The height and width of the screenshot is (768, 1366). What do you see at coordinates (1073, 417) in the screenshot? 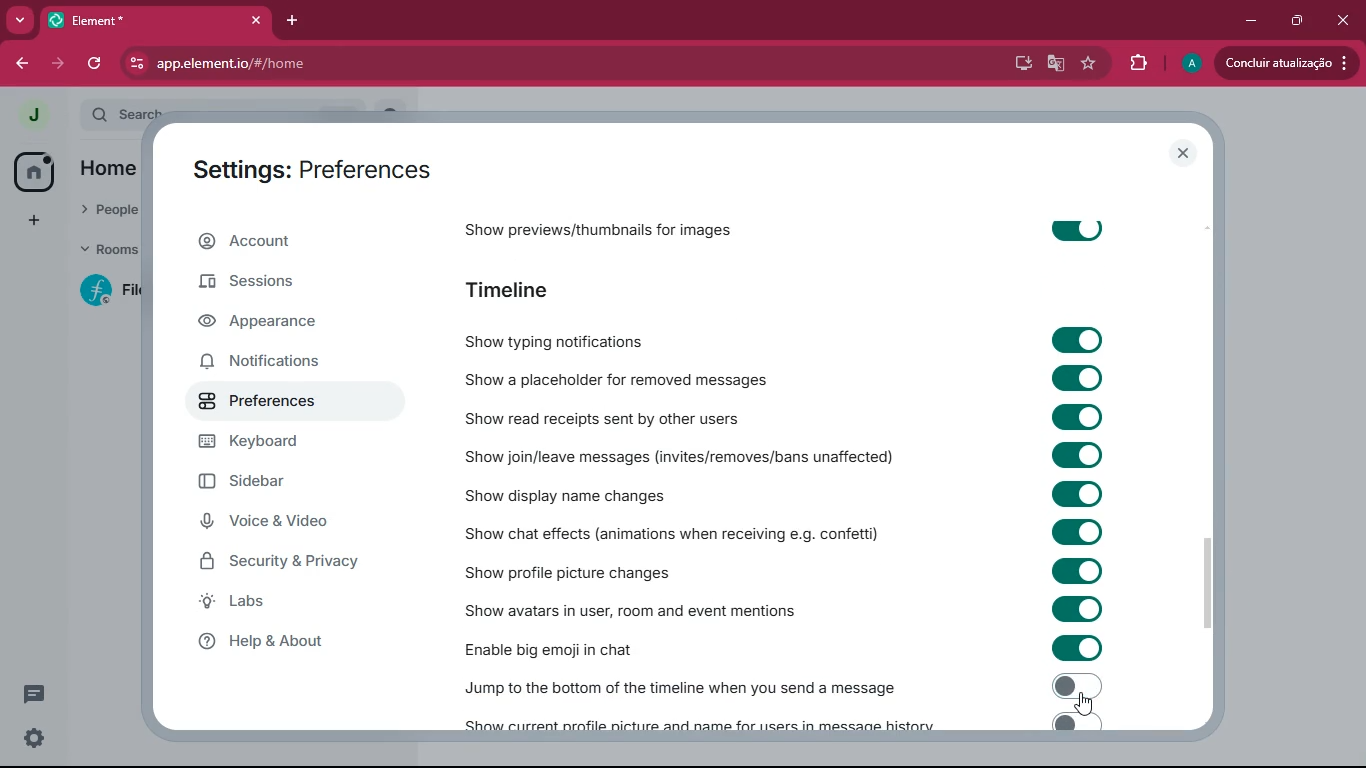
I see `toggle on ` at bounding box center [1073, 417].